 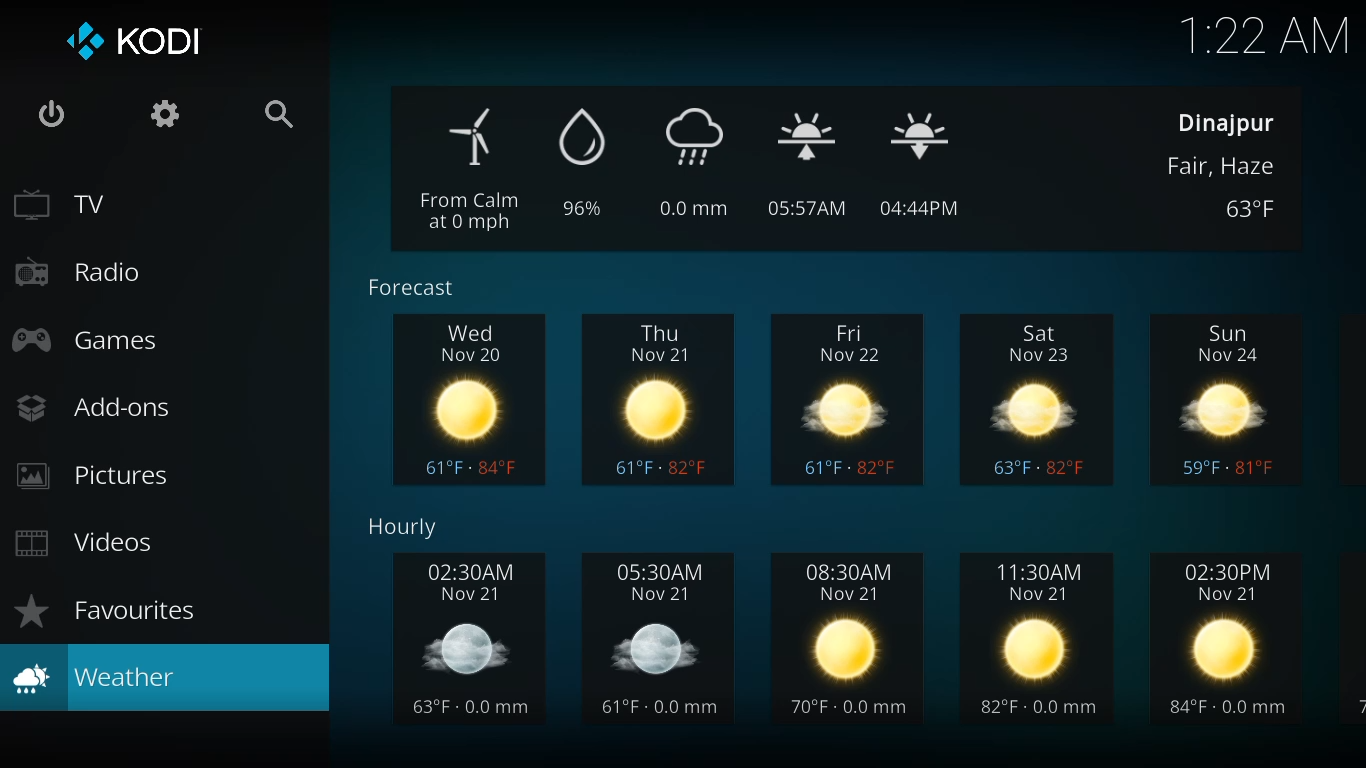 What do you see at coordinates (1042, 641) in the screenshot?
I see `11:30` at bounding box center [1042, 641].